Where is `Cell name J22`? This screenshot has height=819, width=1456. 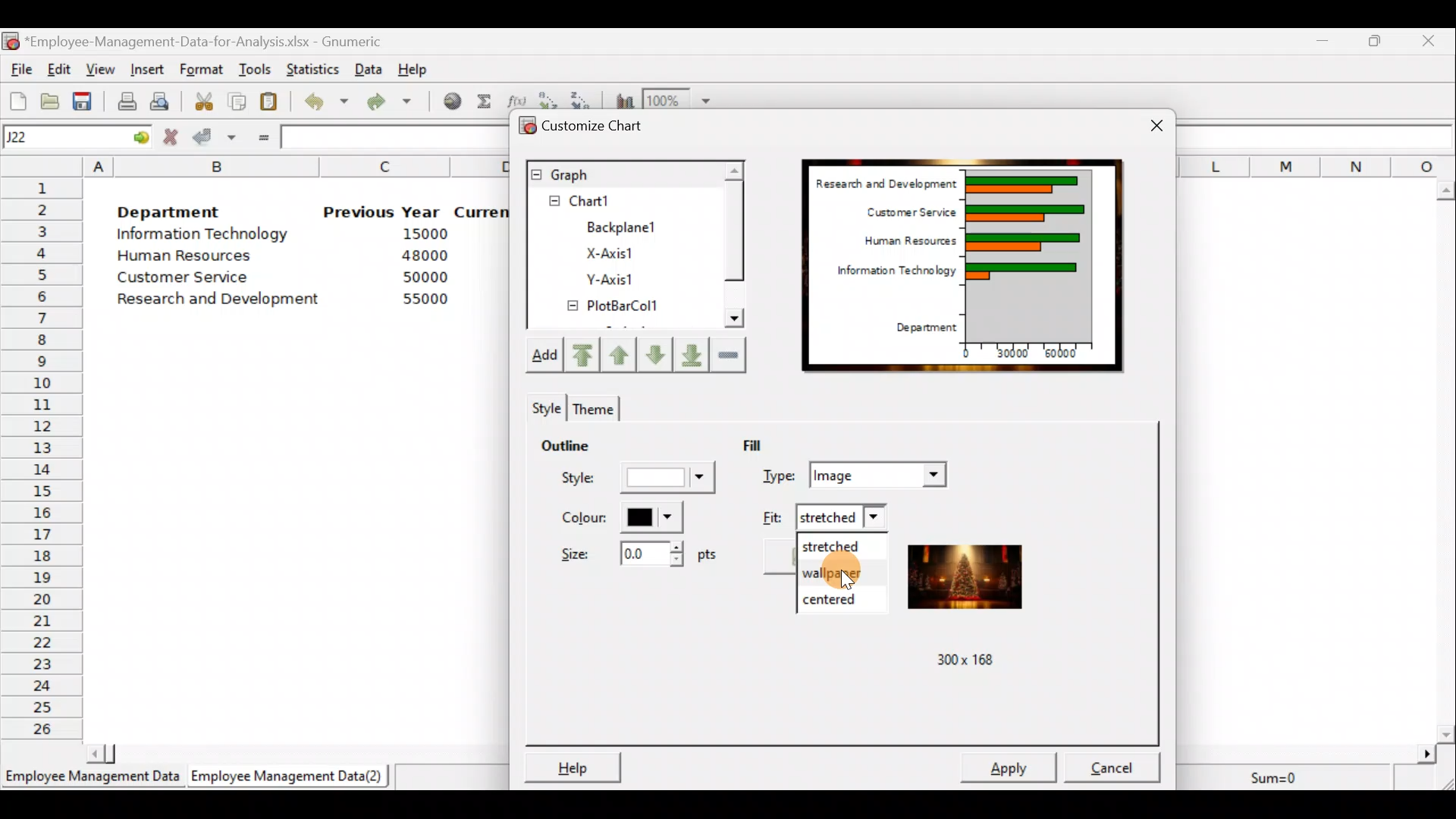
Cell name J22 is located at coordinates (58, 137).